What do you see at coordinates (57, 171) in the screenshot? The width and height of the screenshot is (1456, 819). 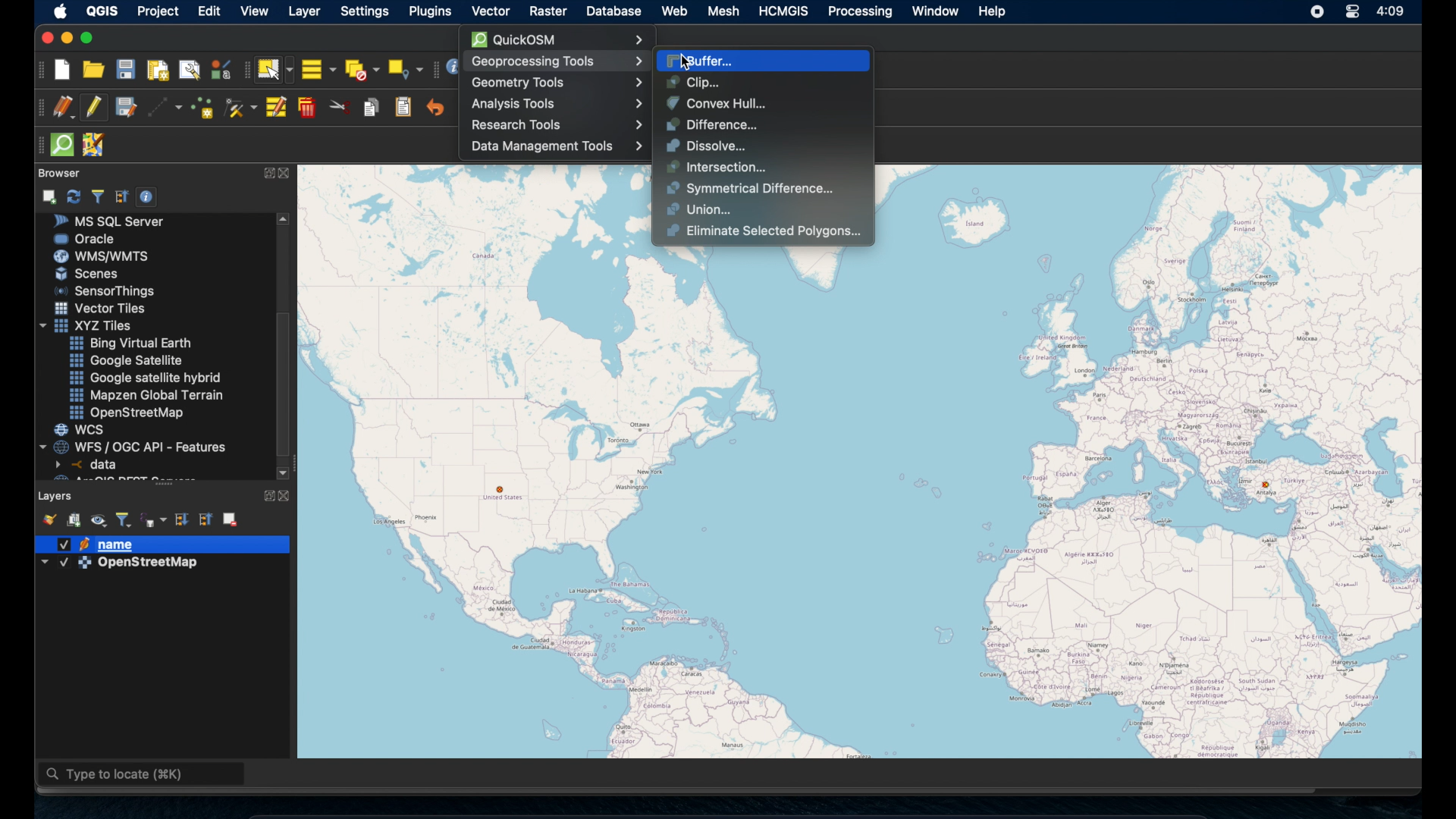 I see `browser` at bounding box center [57, 171].